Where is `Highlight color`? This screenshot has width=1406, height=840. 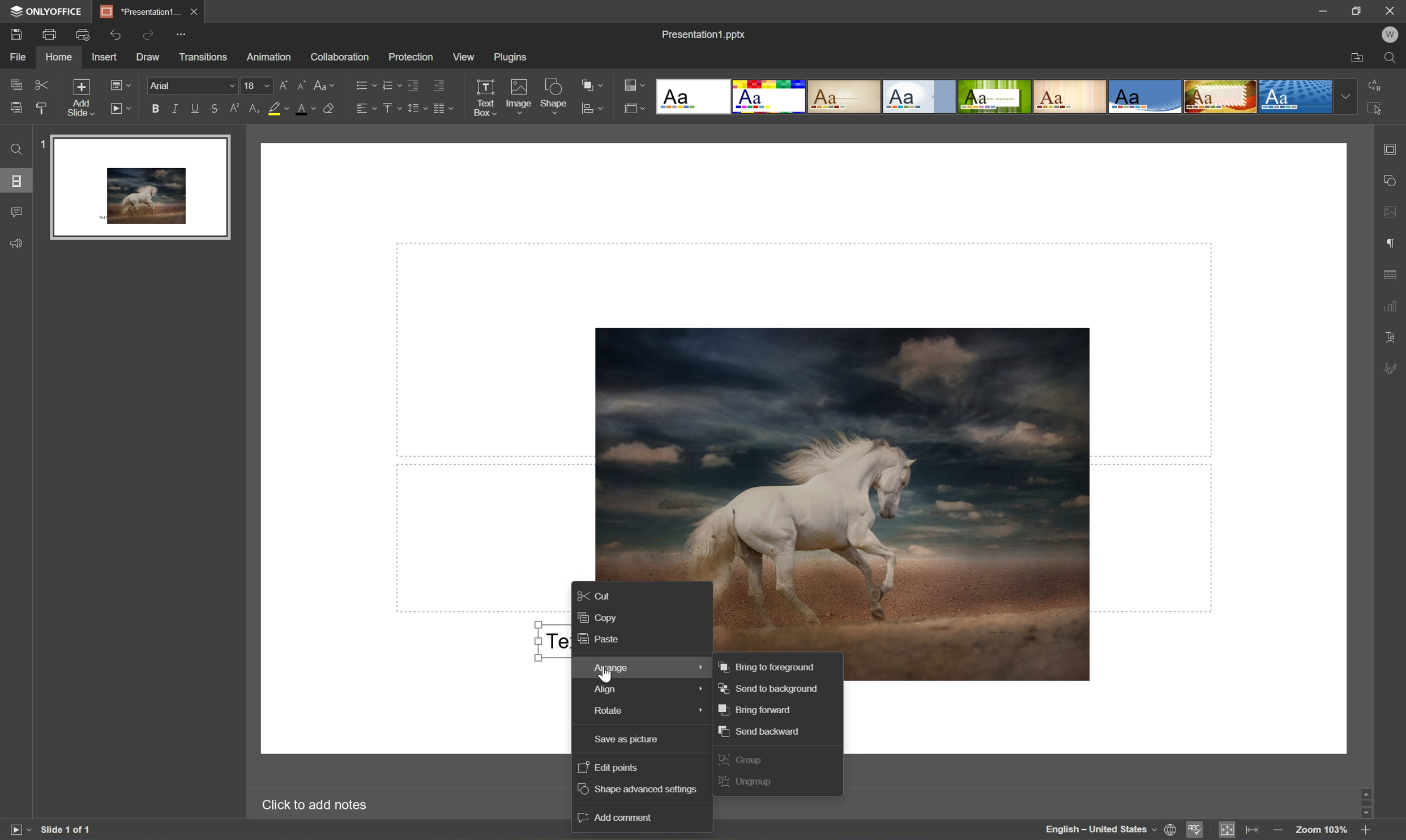
Highlight color is located at coordinates (278, 108).